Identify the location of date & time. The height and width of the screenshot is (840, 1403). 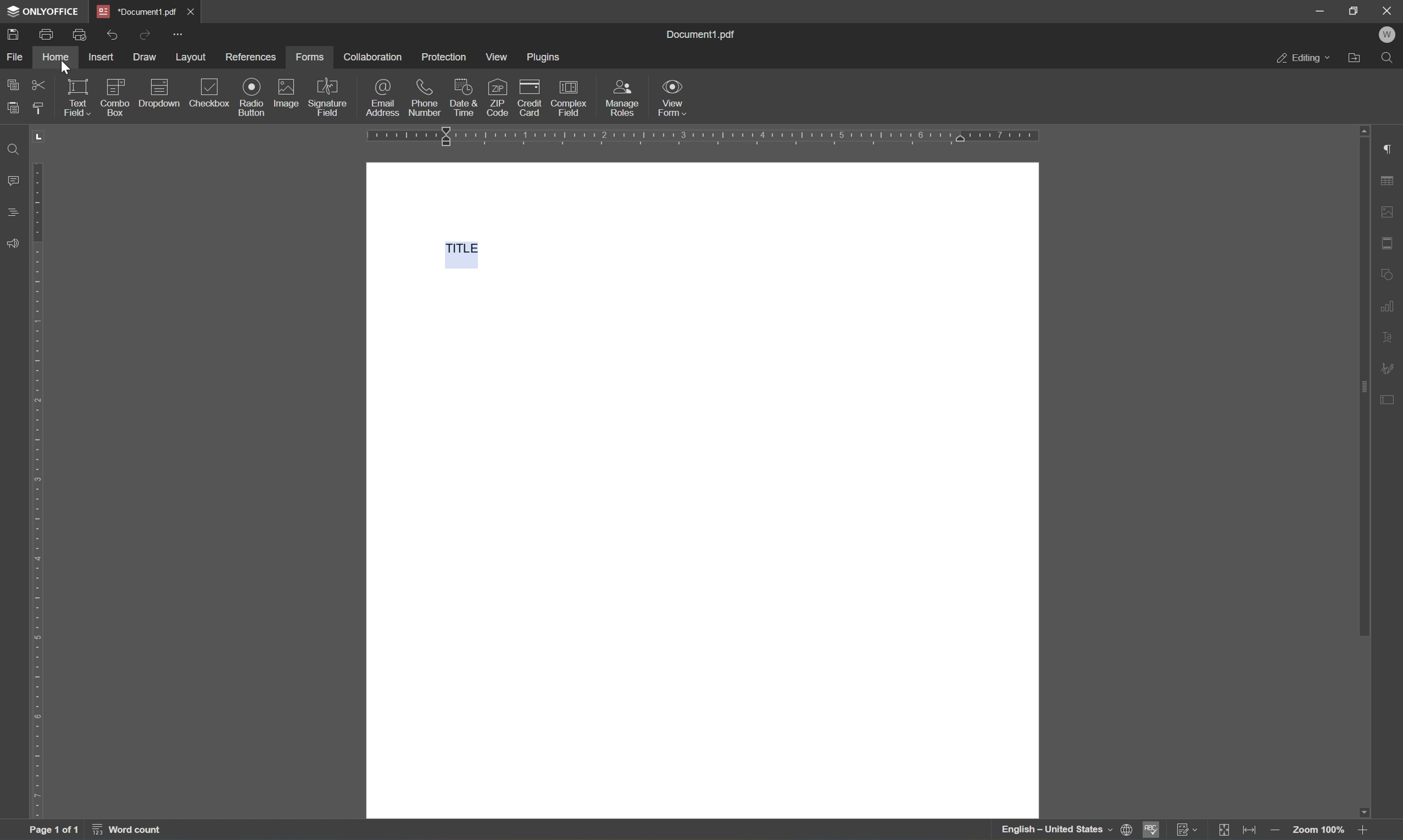
(464, 96).